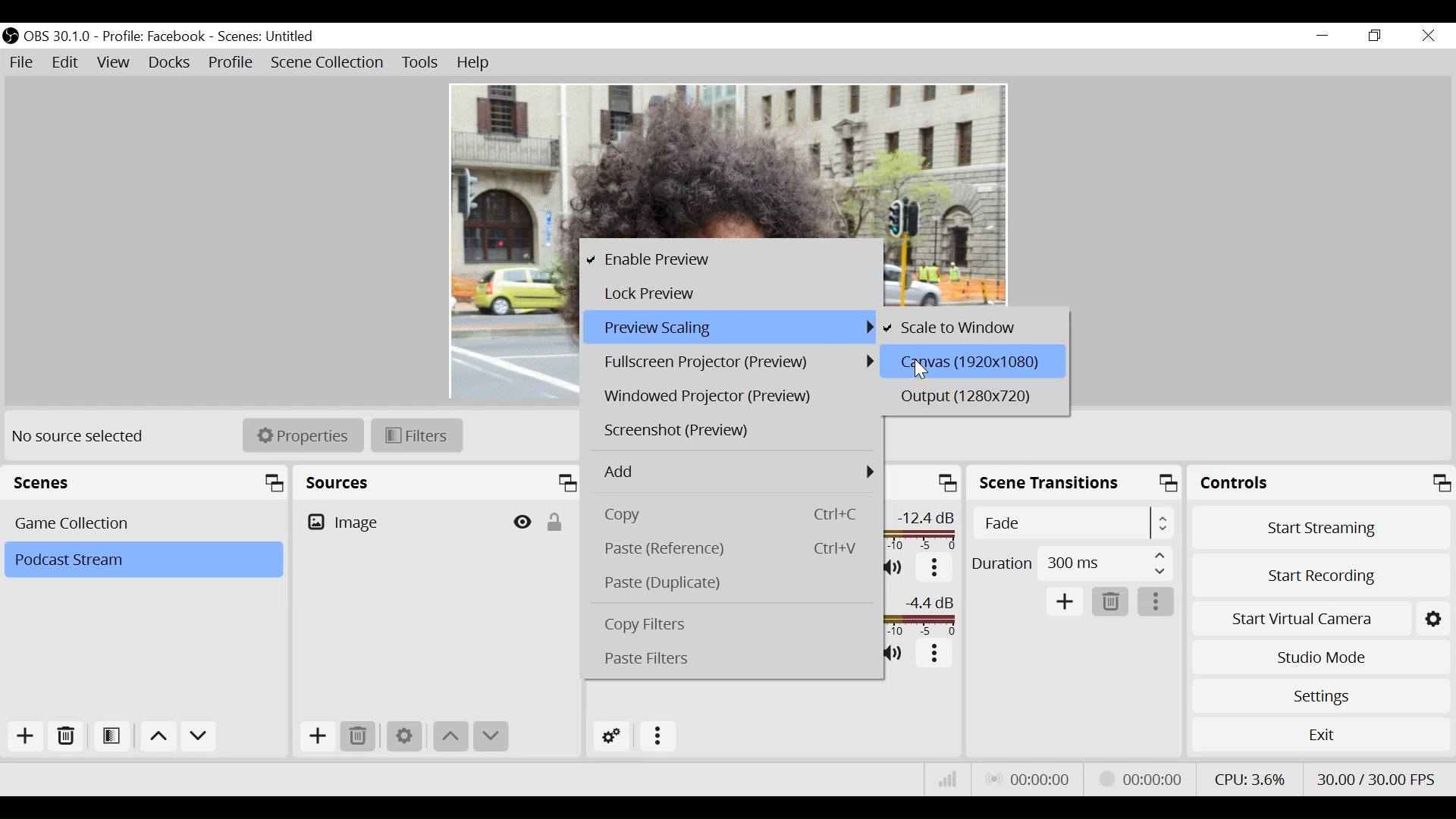 The image size is (1456, 819). What do you see at coordinates (80, 436) in the screenshot?
I see `No source selected` at bounding box center [80, 436].